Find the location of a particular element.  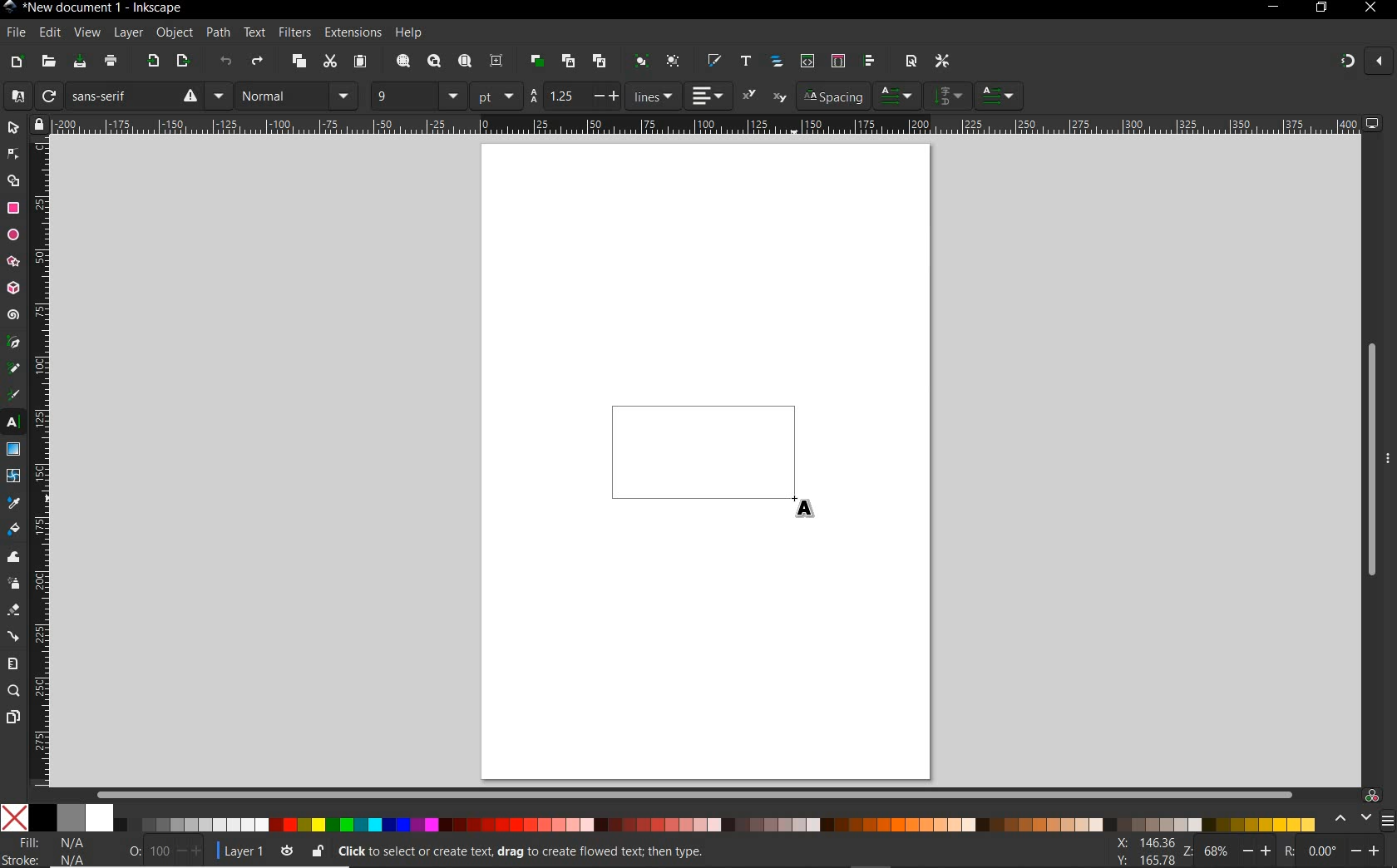

color scroll options is located at coordinates (1348, 819).